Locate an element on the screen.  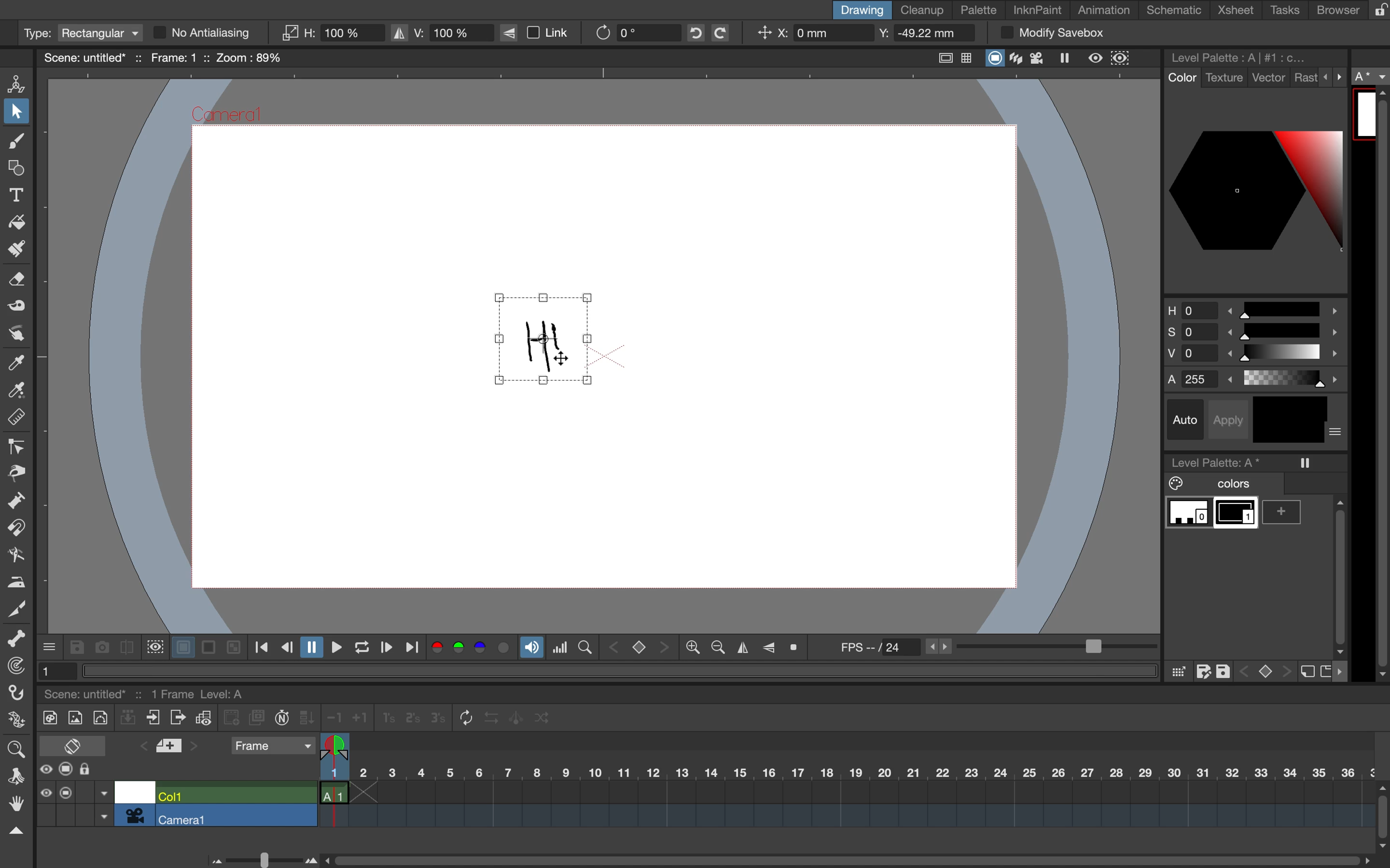
tasks is located at coordinates (1283, 10).